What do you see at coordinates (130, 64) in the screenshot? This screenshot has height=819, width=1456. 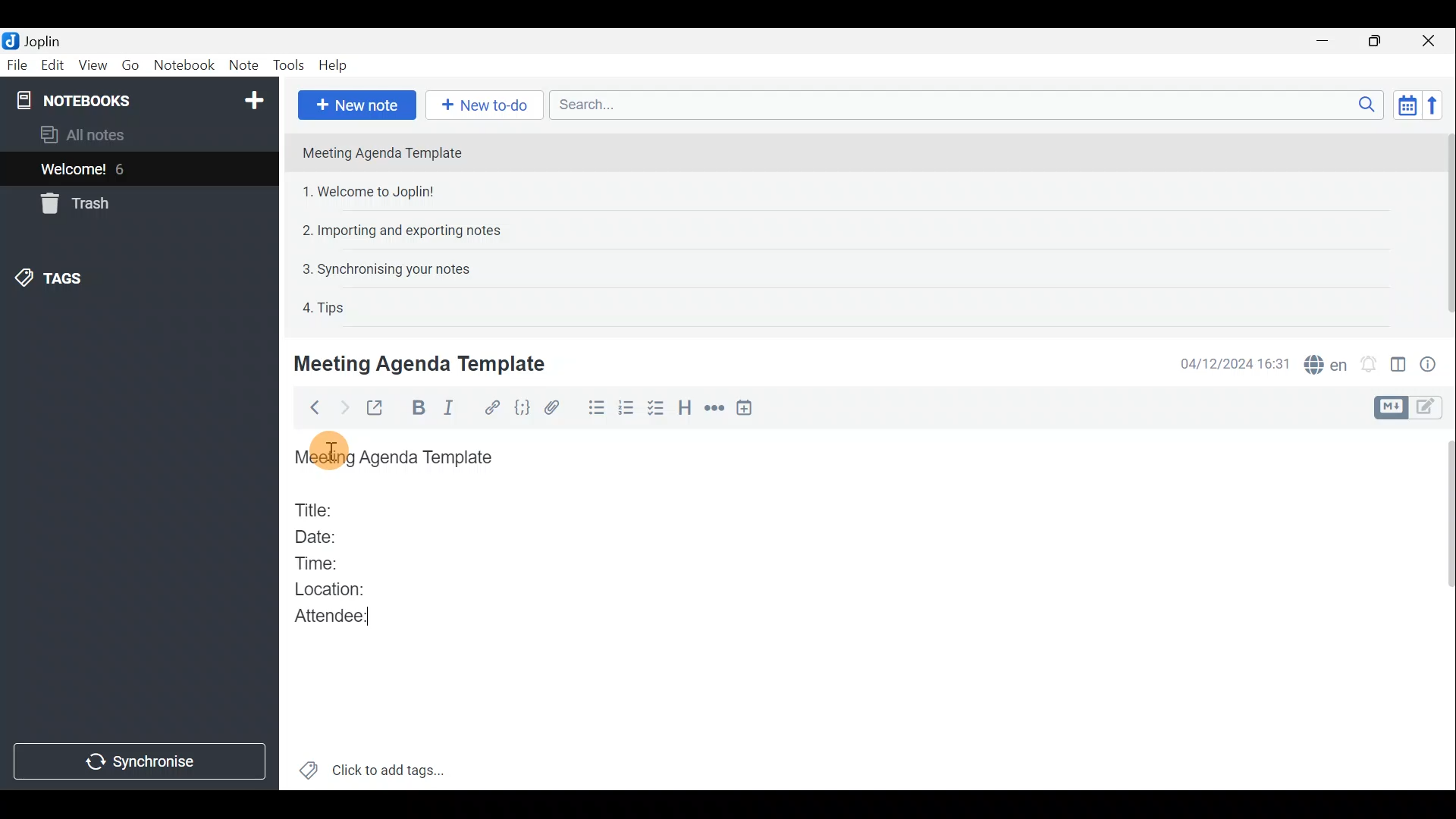 I see `Go` at bounding box center [130, 64].